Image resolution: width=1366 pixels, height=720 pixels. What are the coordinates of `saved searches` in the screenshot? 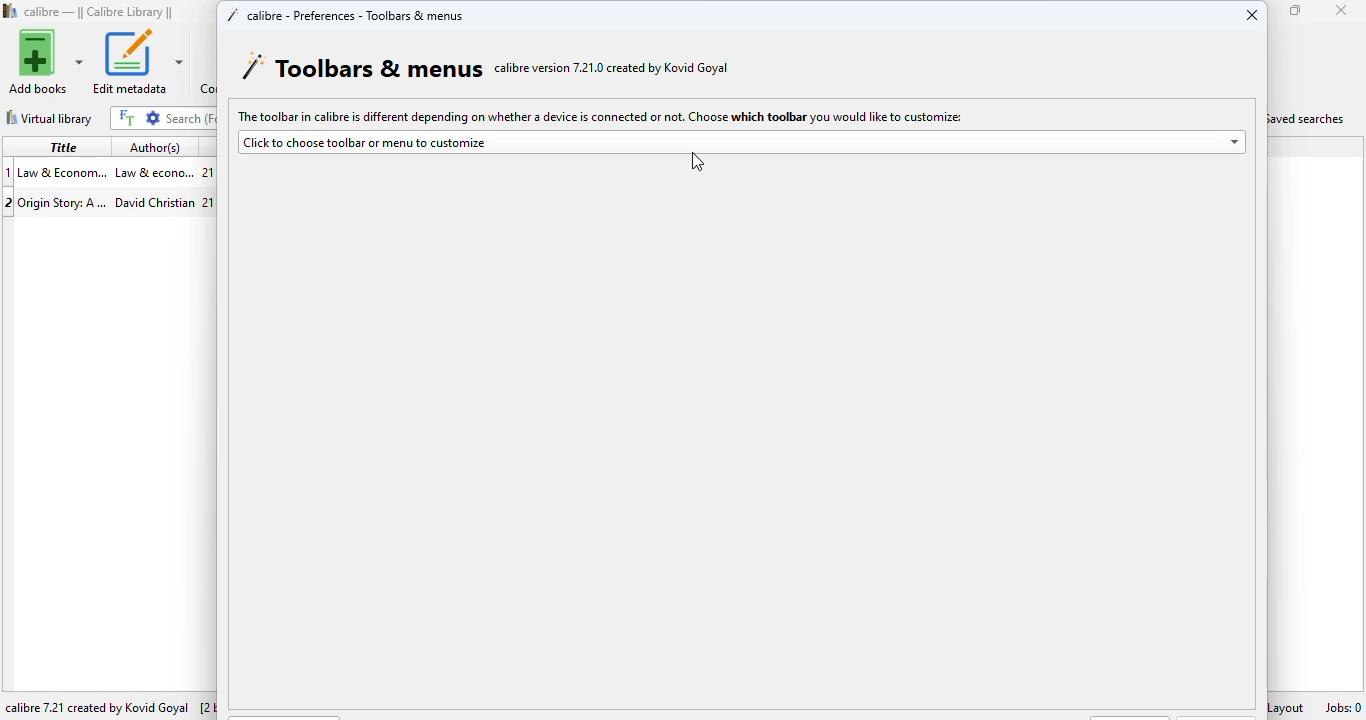 It's located at (1309, 117).